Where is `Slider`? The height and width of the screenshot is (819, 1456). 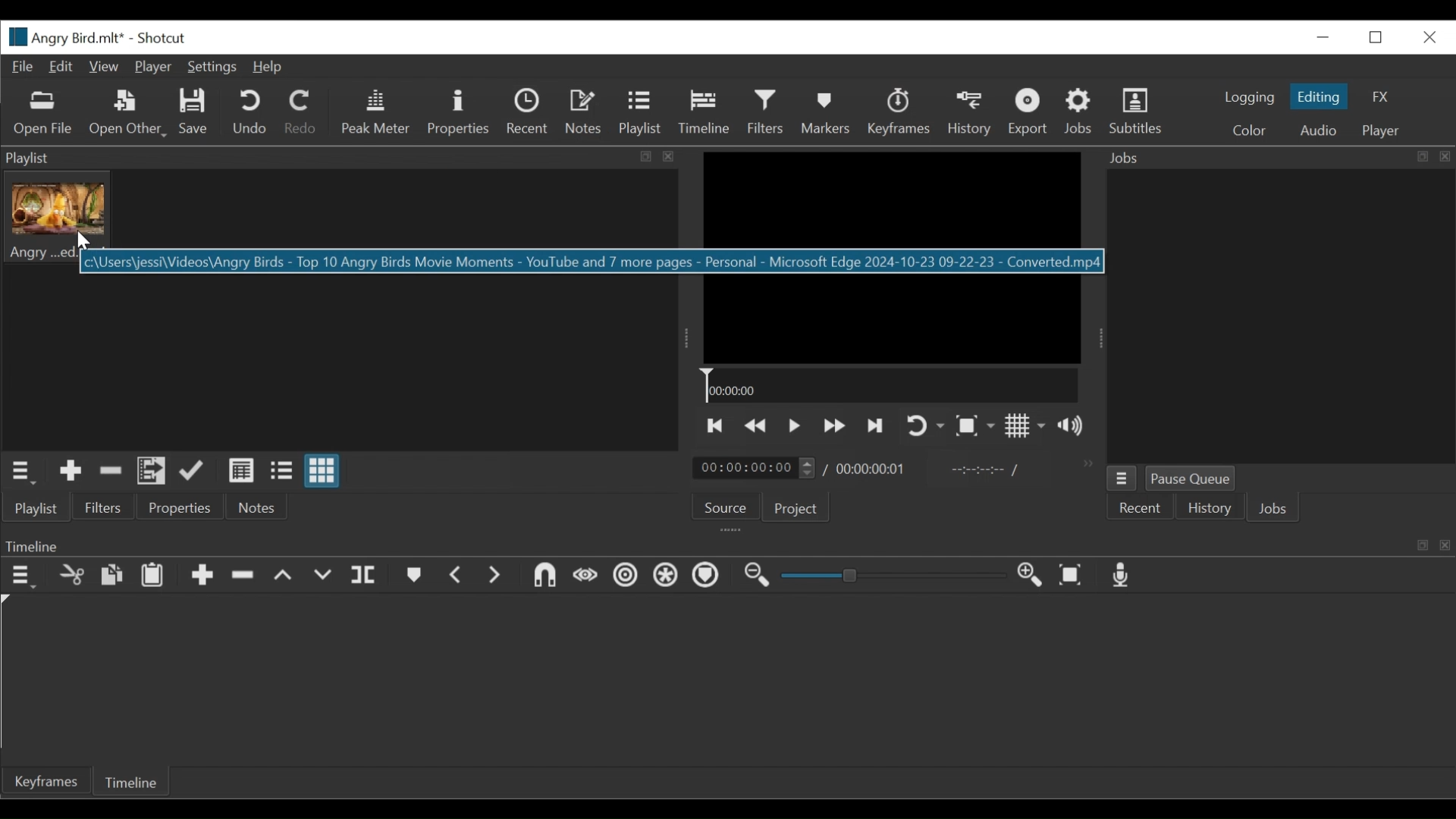 Slider is located at coordinates (894, 576).